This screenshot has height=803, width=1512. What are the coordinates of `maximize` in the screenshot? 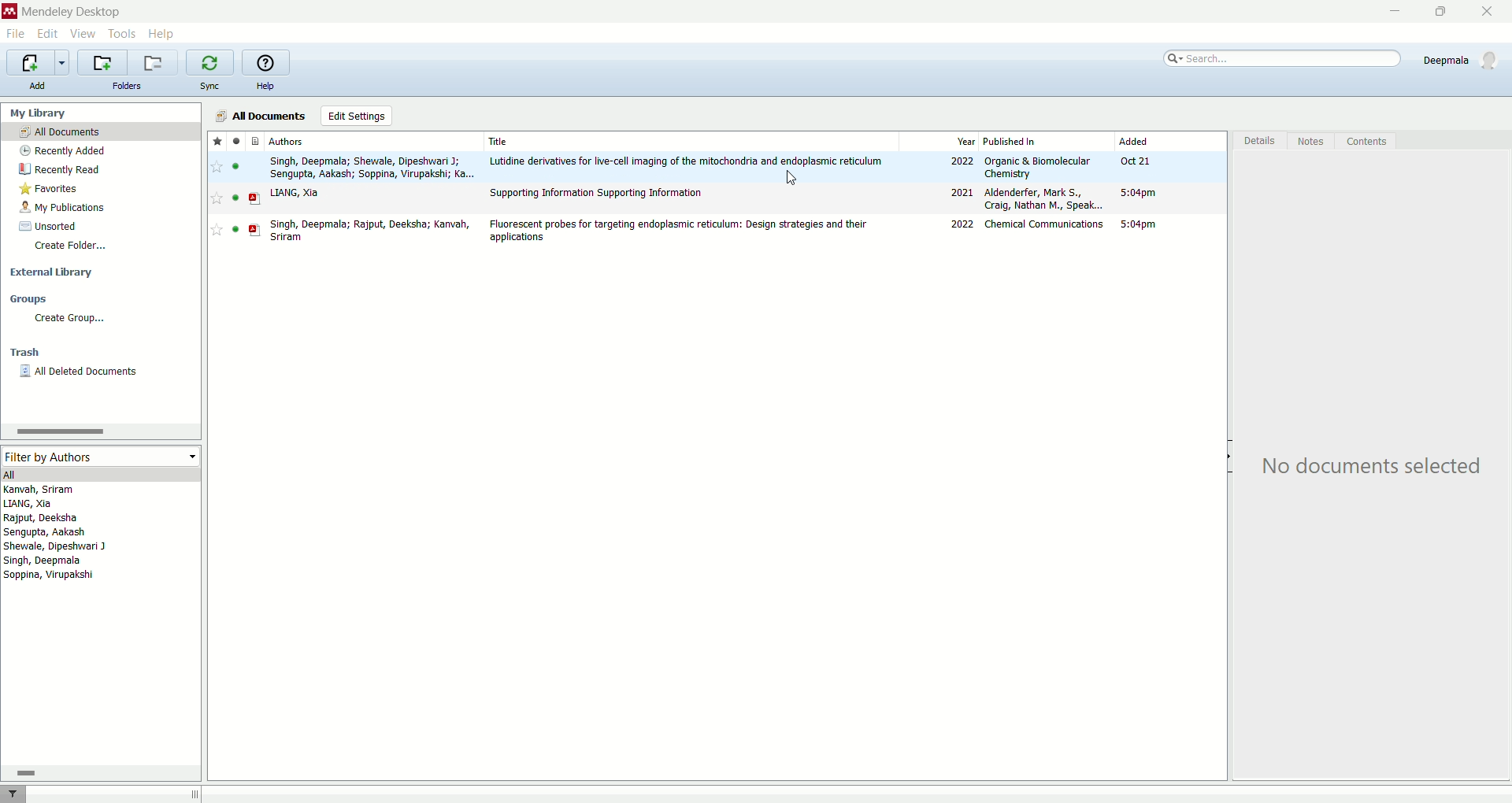 It's located at (1447, 11).